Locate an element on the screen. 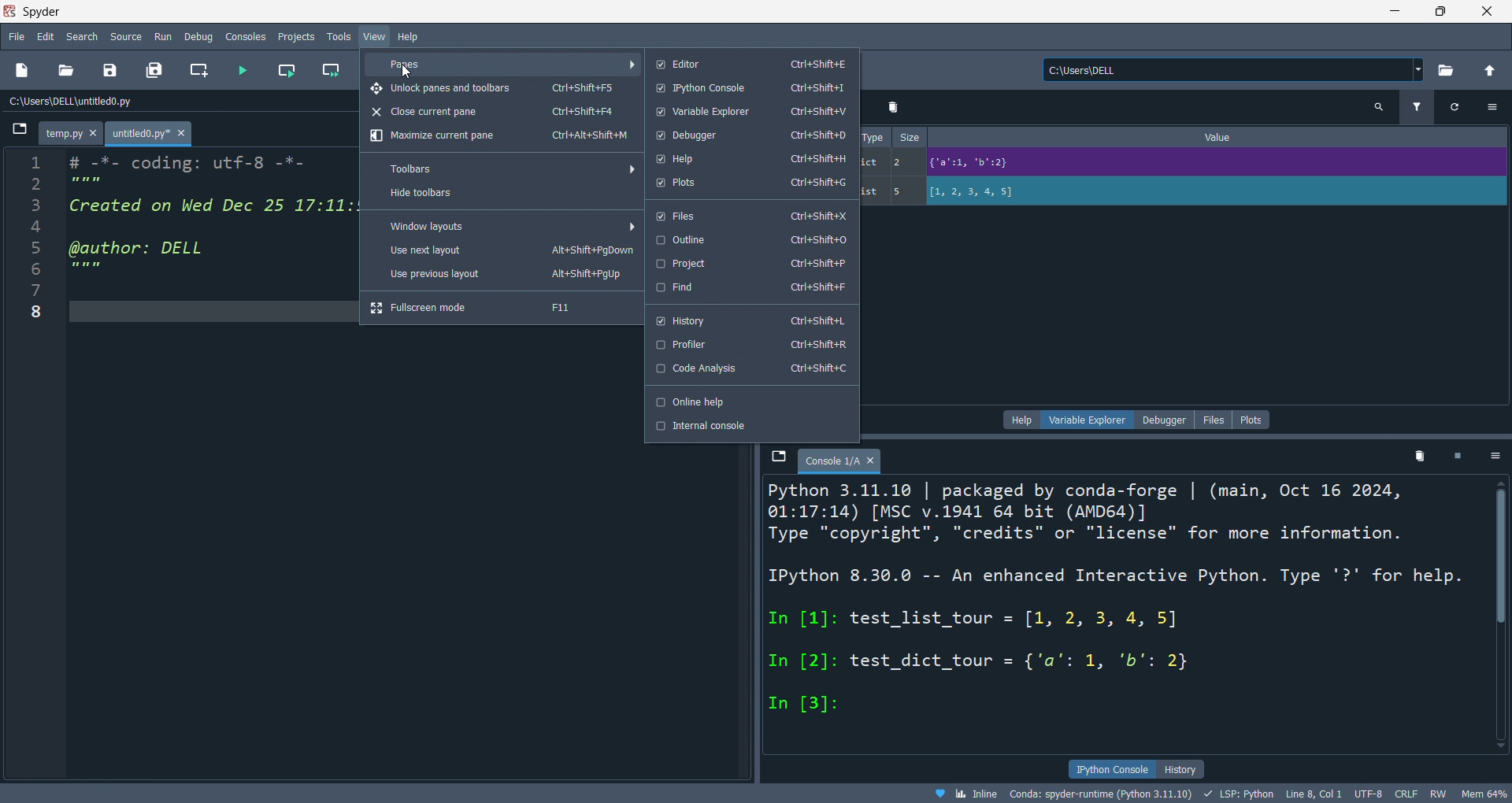  new cell is located at coordinates (197, 71).